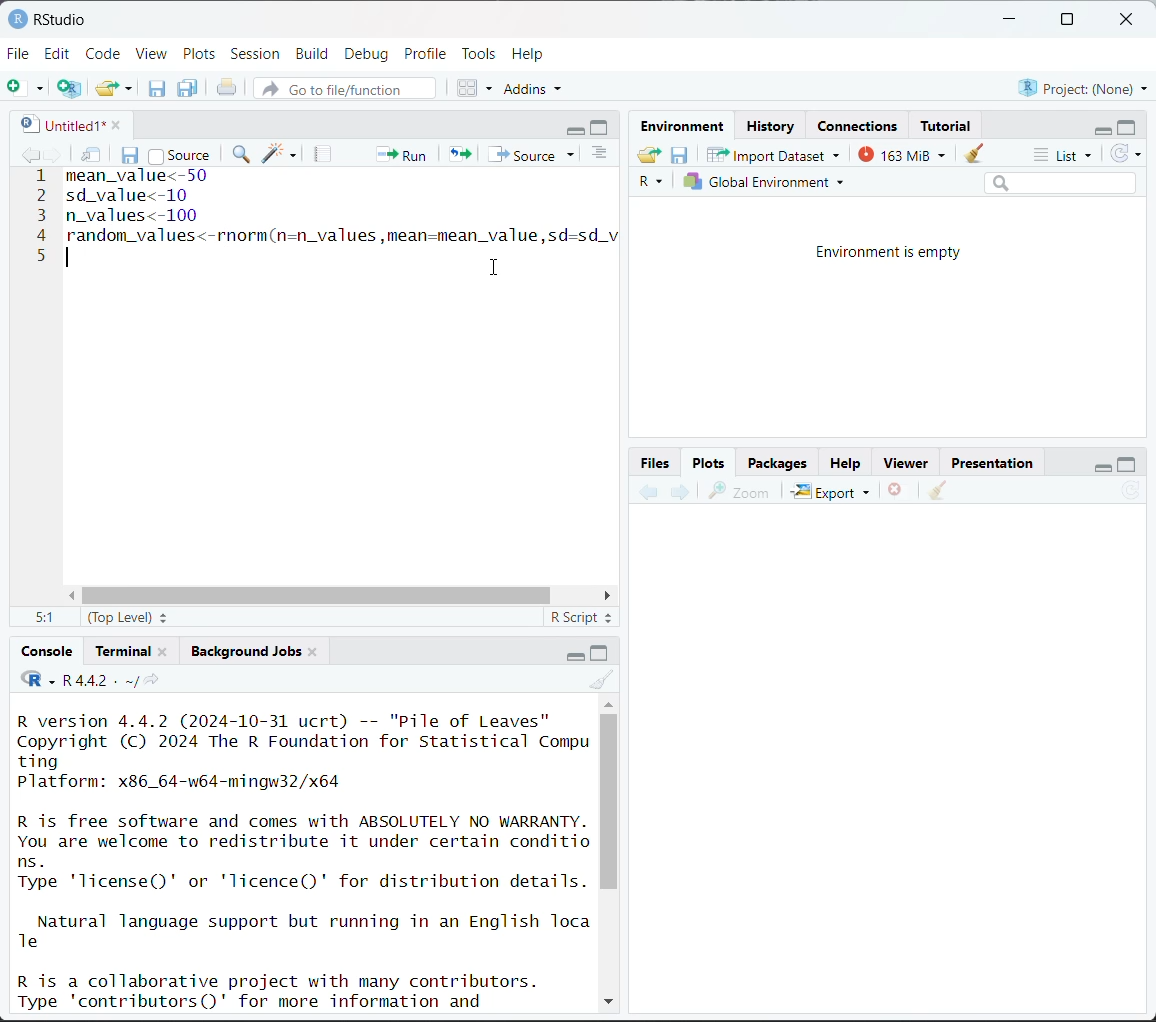 The height and width of the screenshot is (1022, 1156). Describe the element at coordinates (129, 194) in the screenshot. I see `sd_value<-10` at that location.